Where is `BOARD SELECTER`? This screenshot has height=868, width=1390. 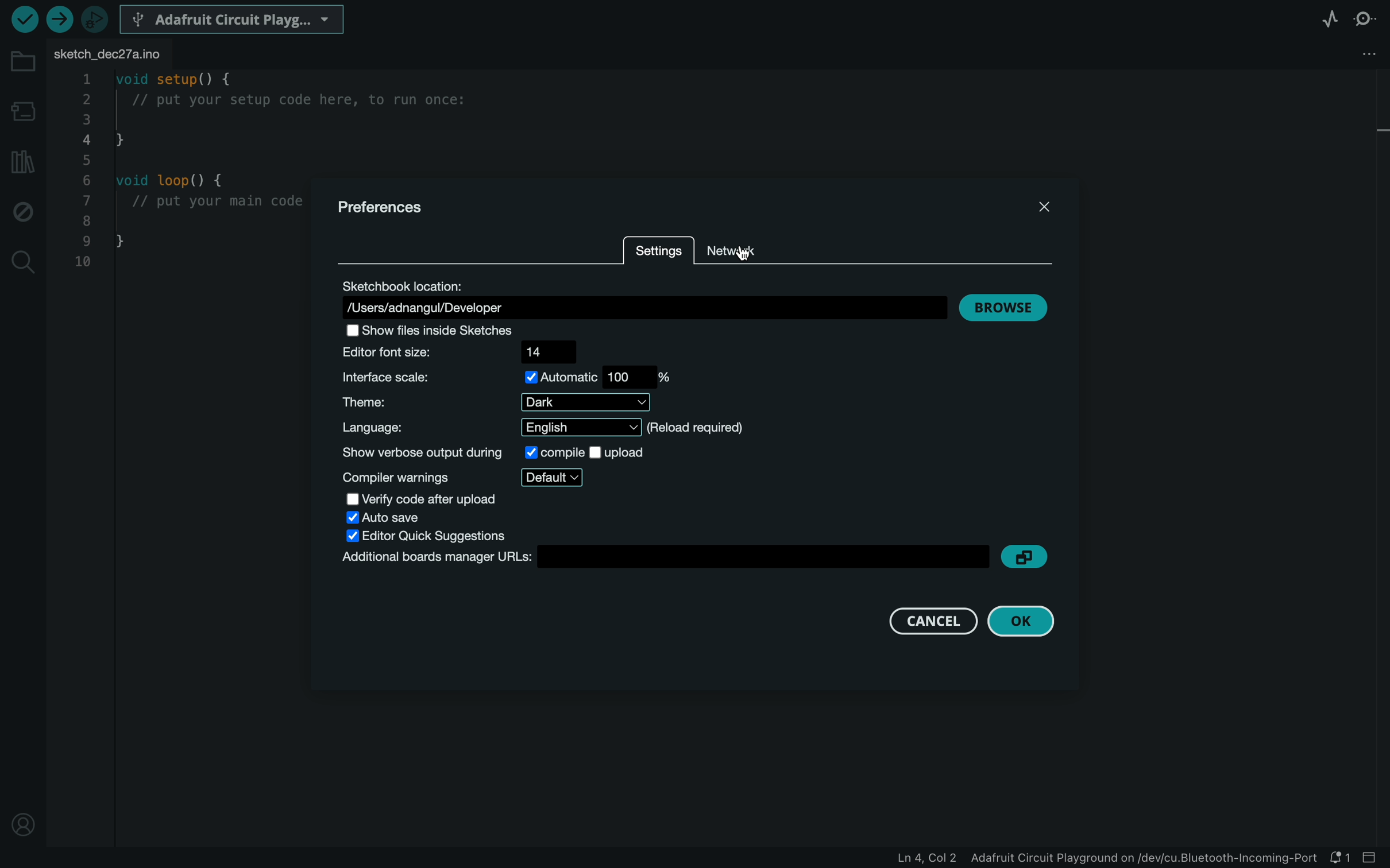
BOARD SELECTER is located at coordinates (234, 18).